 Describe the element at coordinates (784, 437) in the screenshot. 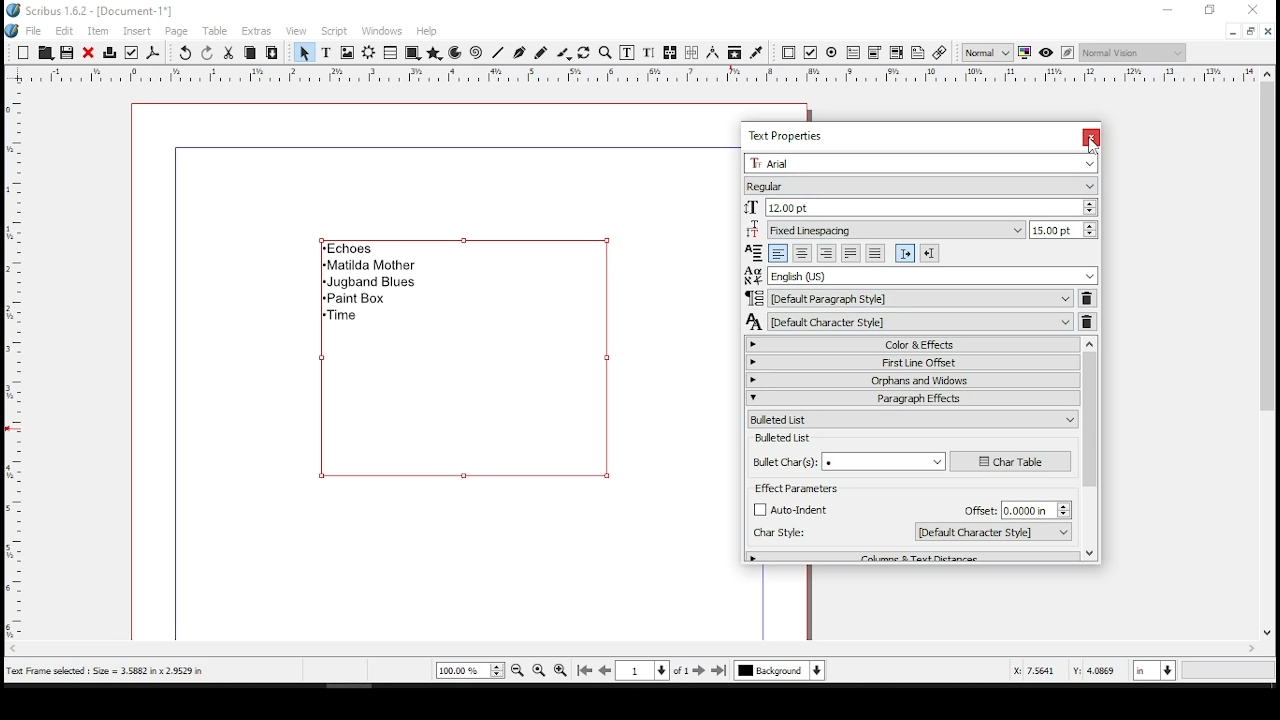

I see `bullet list` at that location.